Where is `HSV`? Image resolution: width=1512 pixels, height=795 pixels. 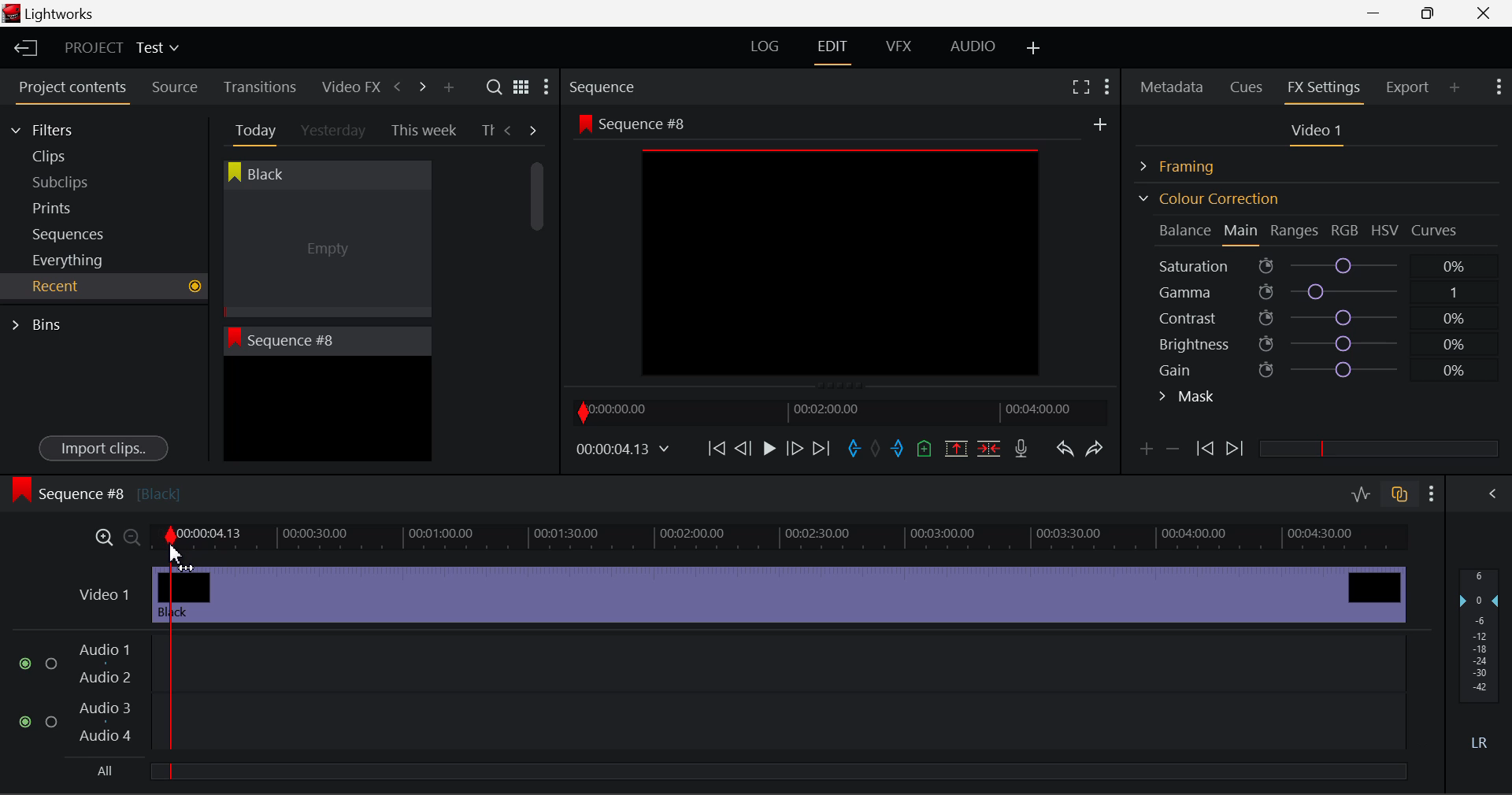
HSV is located at coordinates (1385, 230).